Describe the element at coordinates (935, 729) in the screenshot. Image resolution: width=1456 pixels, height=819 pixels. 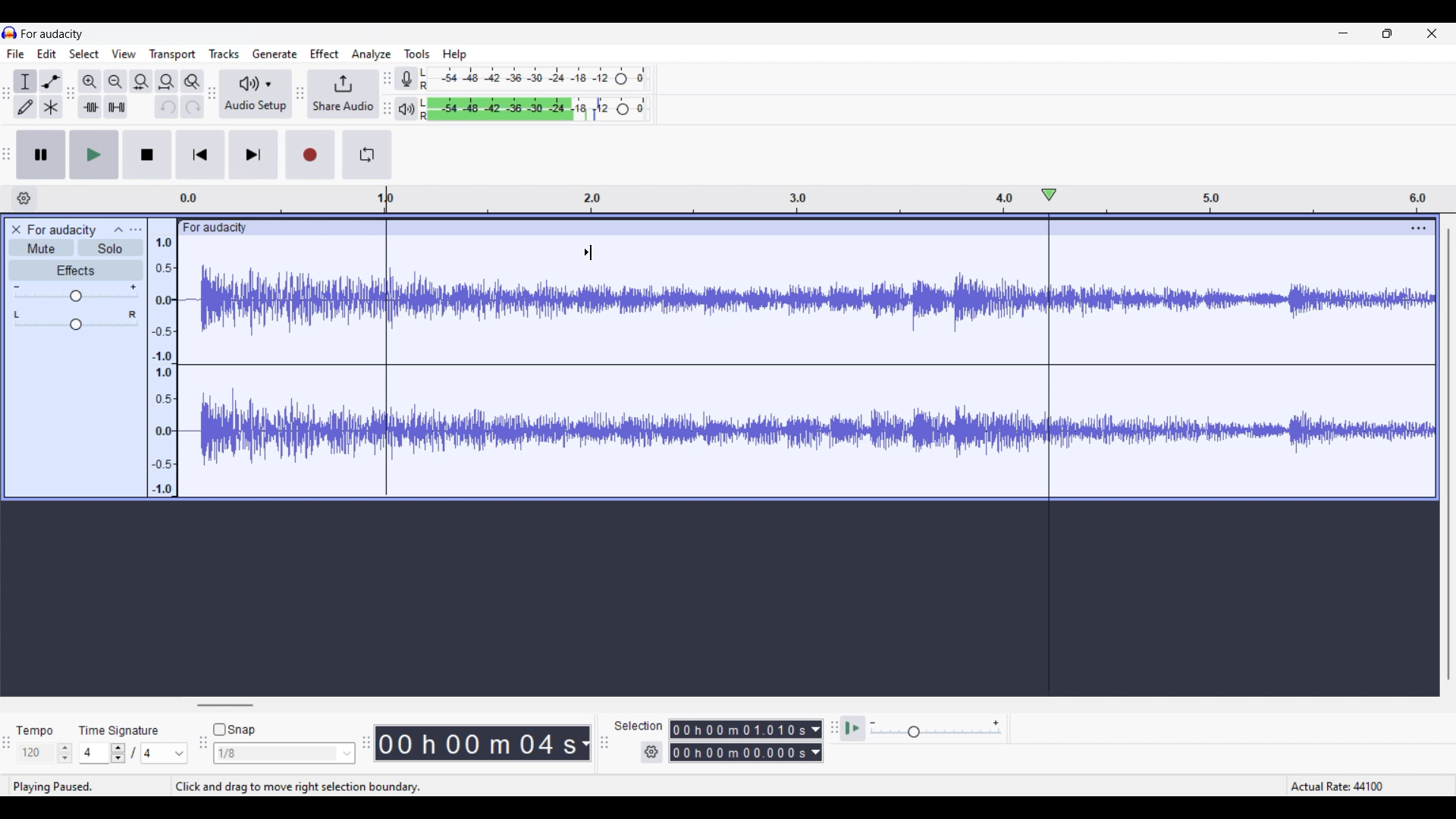
I see `Playback speed scale` at that location.